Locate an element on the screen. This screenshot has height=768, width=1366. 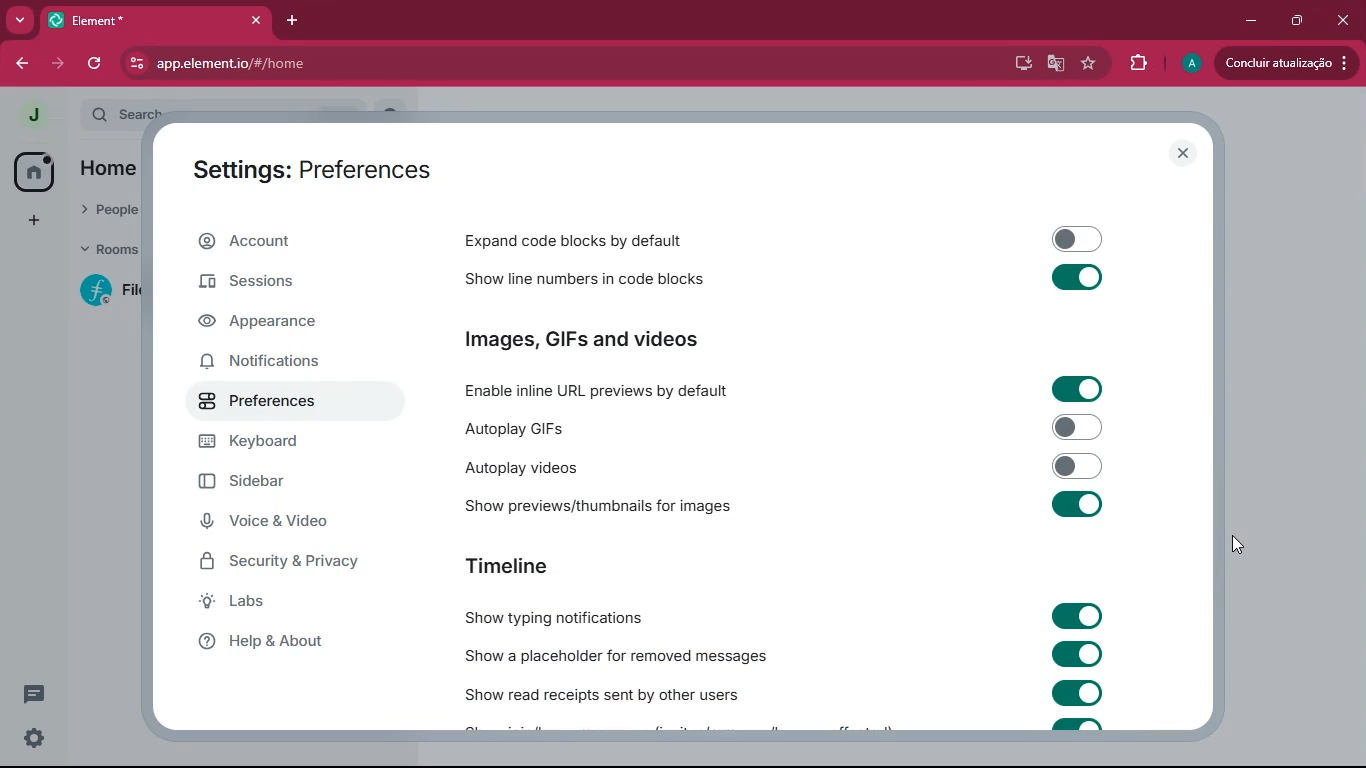
toggle on/off is located at coordinates (1077, 615).